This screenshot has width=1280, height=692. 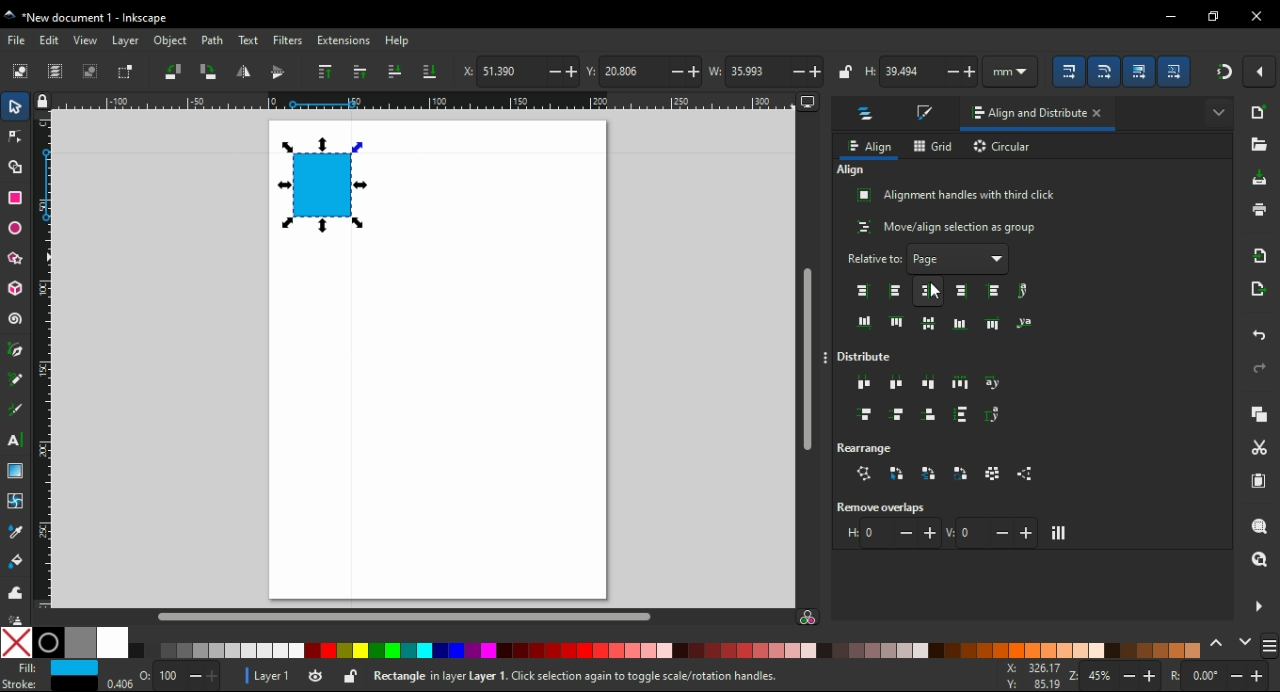 What do you see at coordinates (960, 323) in the screenshot?
I see `center on horizontal axis` at bounding box center [960, 323].